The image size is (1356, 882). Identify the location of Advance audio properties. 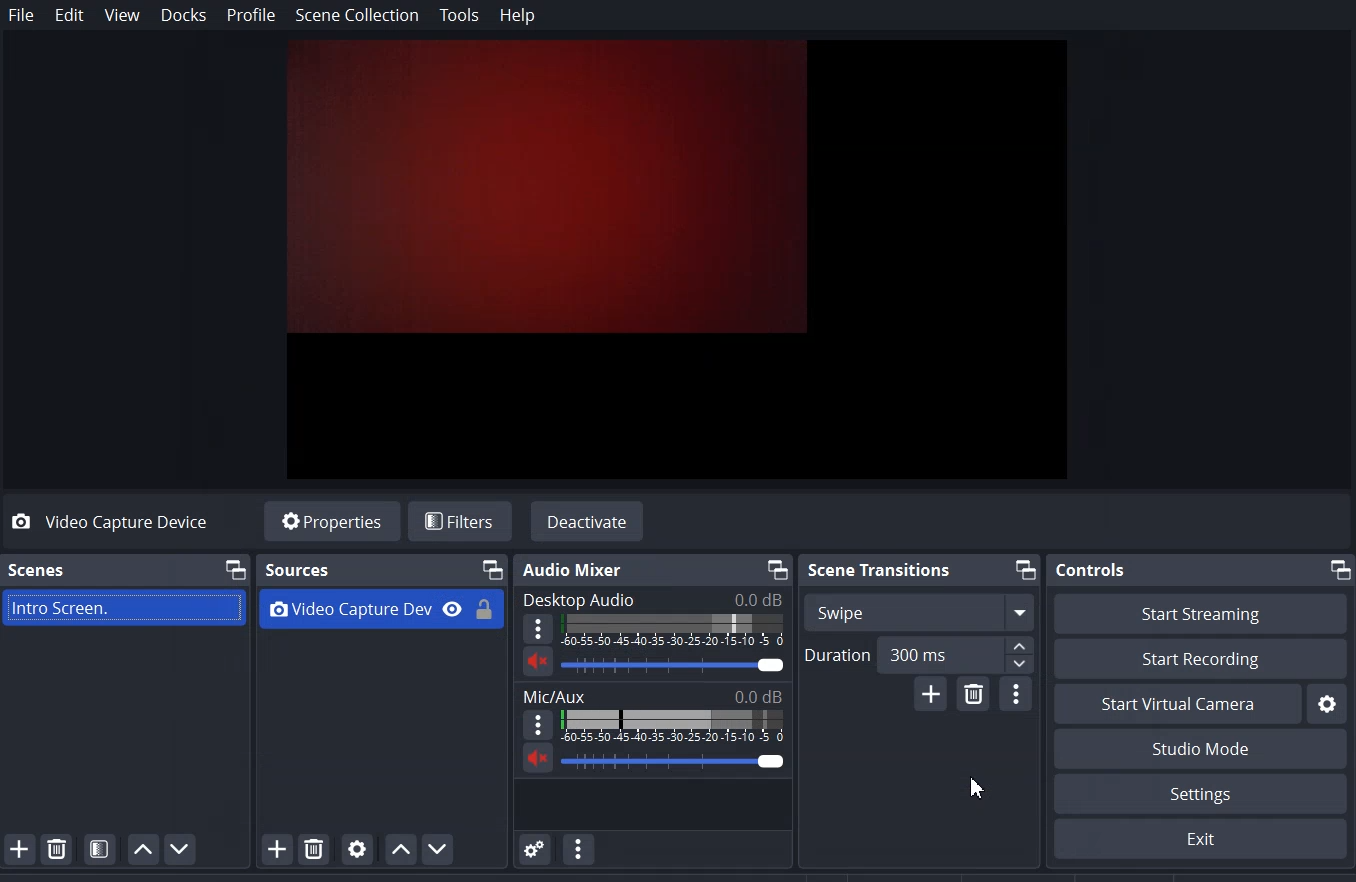
(536, 848).